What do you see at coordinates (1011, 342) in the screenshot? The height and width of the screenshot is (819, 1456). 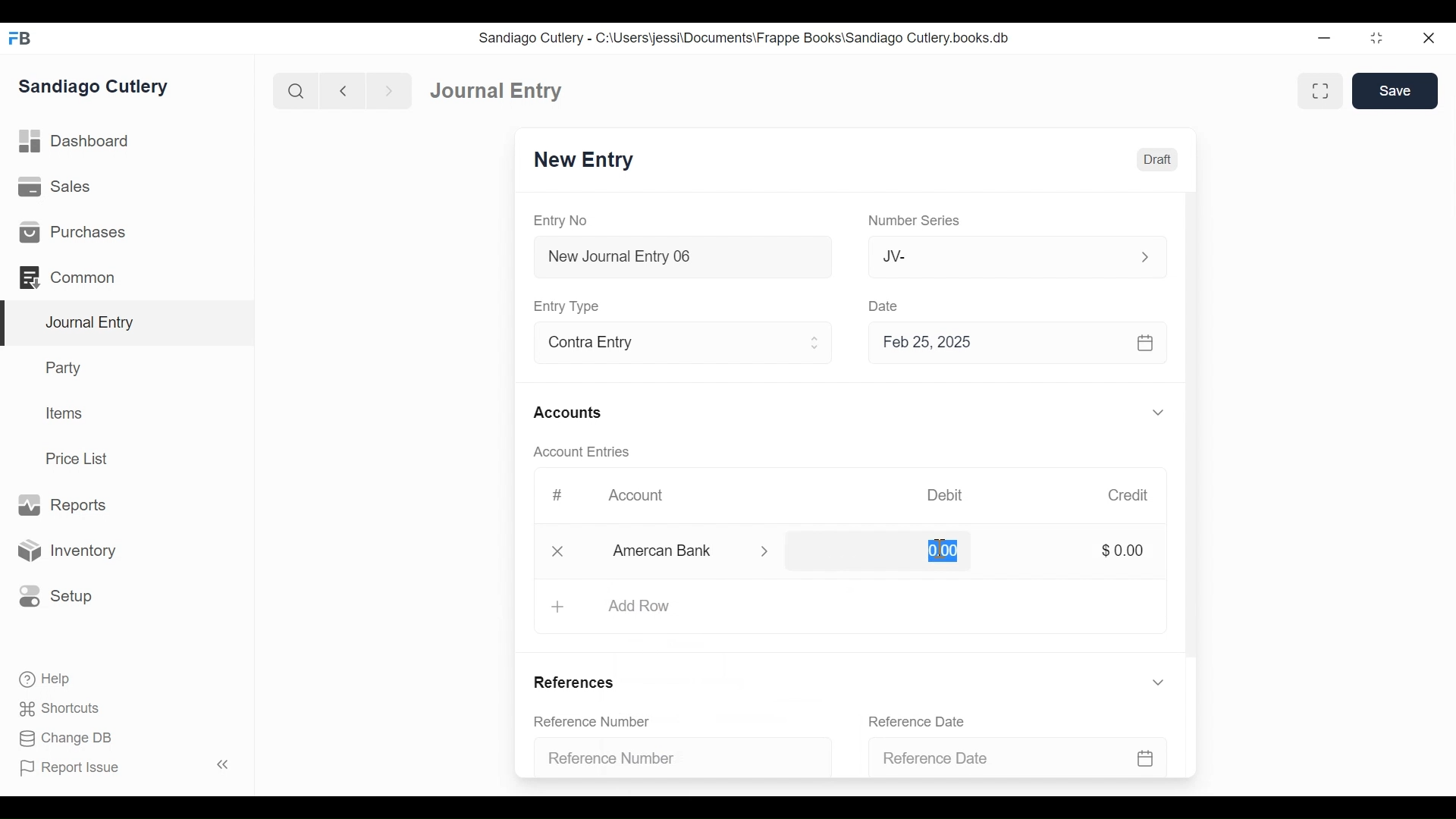 I see `Feb 25, 2025` at bounding box center [1011, 342].